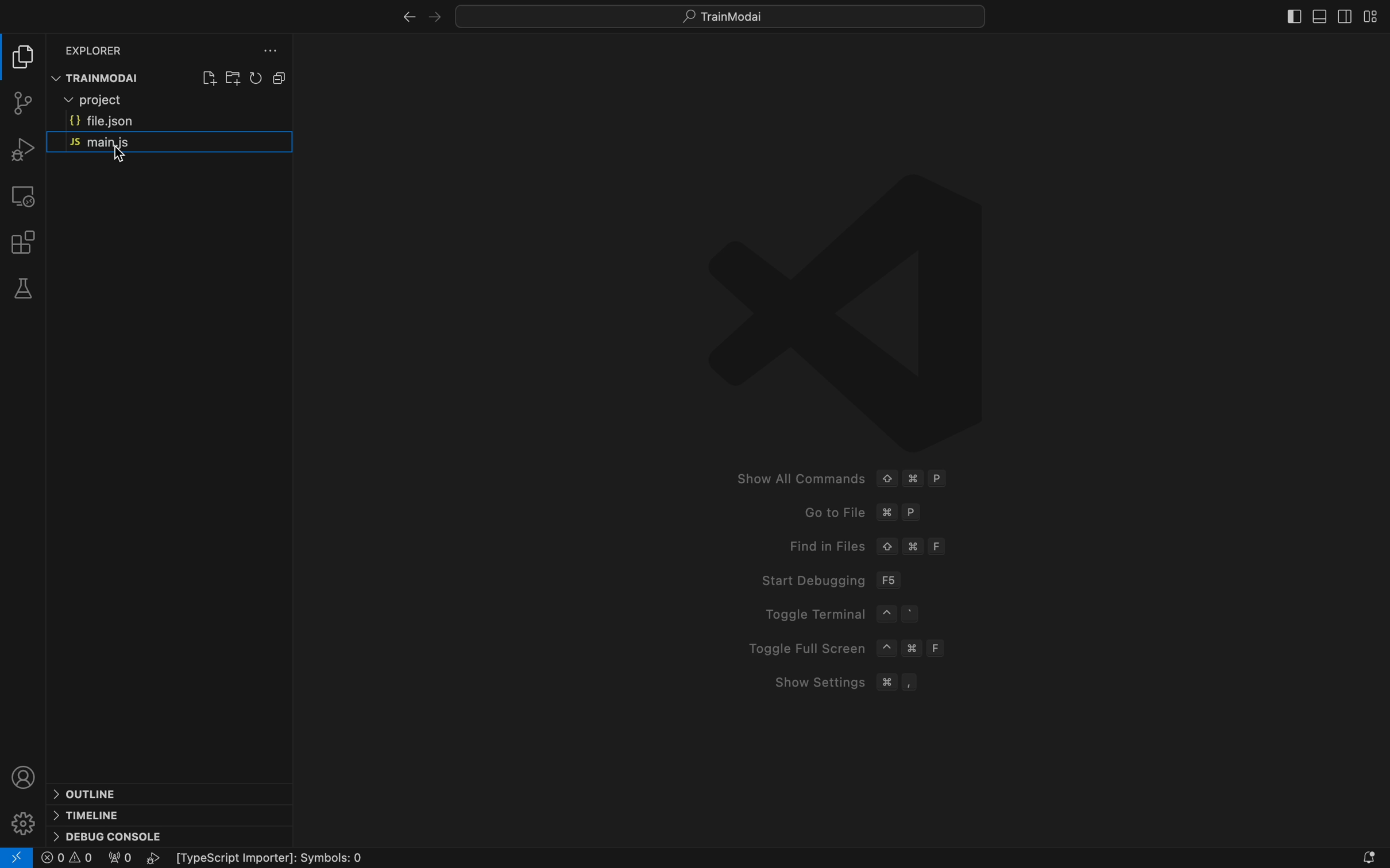 Image resolution: width=1390 pixels, height=868 pixels. What do you see at coordinates (858, 507) in the screenshot?
I see `Go to fike` at bounding box center [858, 507].